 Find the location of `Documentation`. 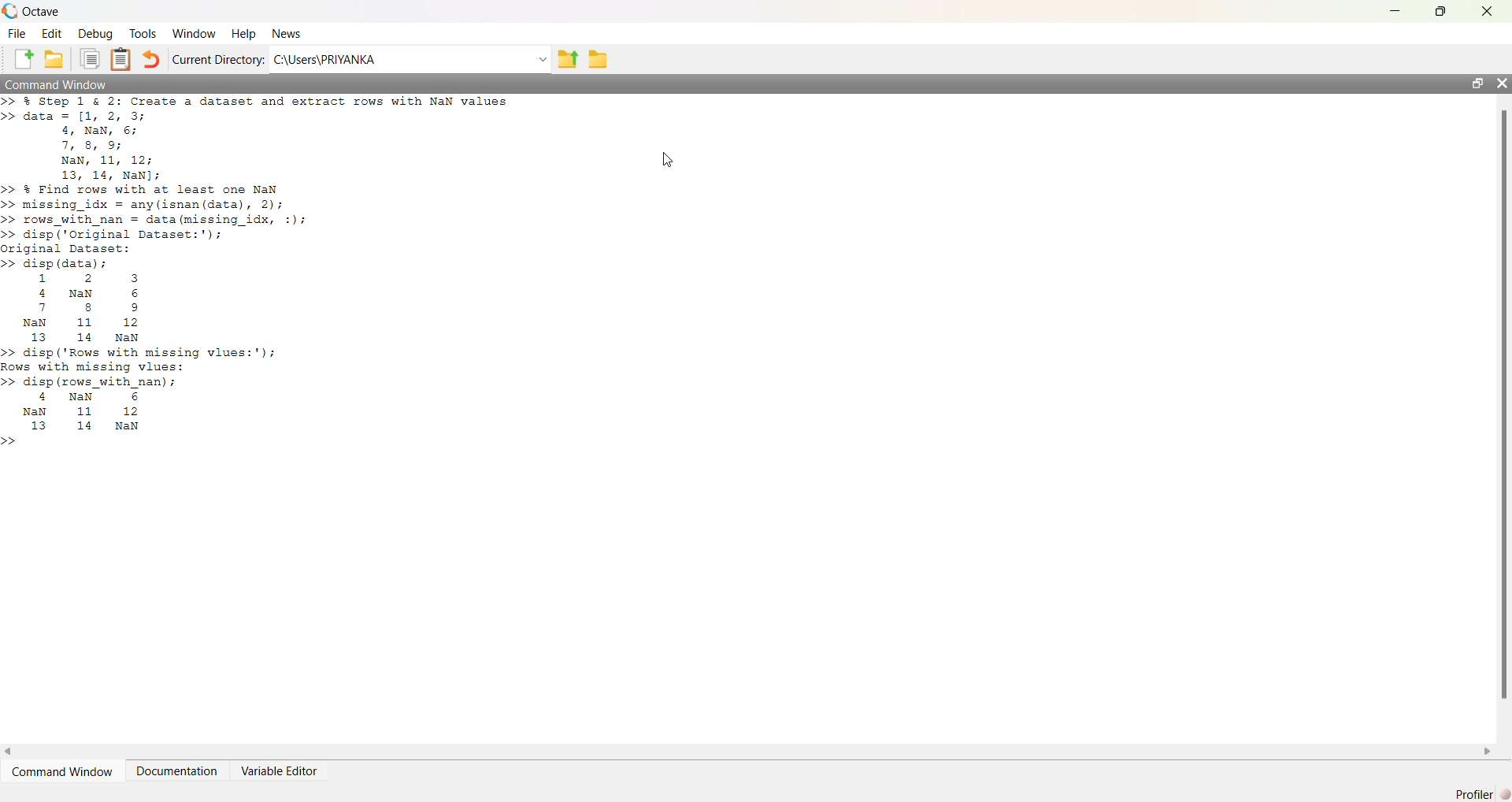

Documentation is located at coordinates (176, 771).